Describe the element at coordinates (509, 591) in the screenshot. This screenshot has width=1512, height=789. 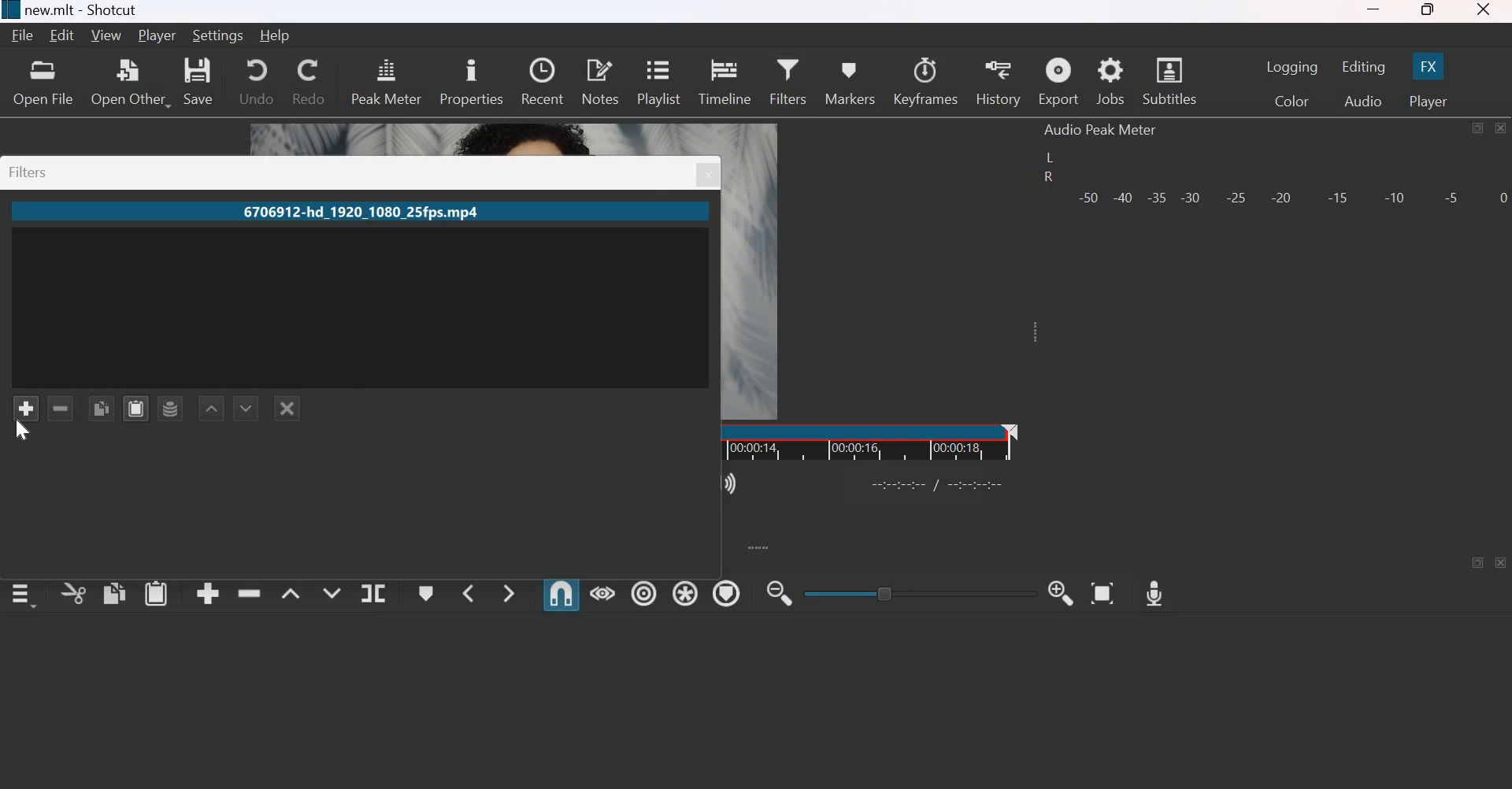
I see `Next Marker` at that location.